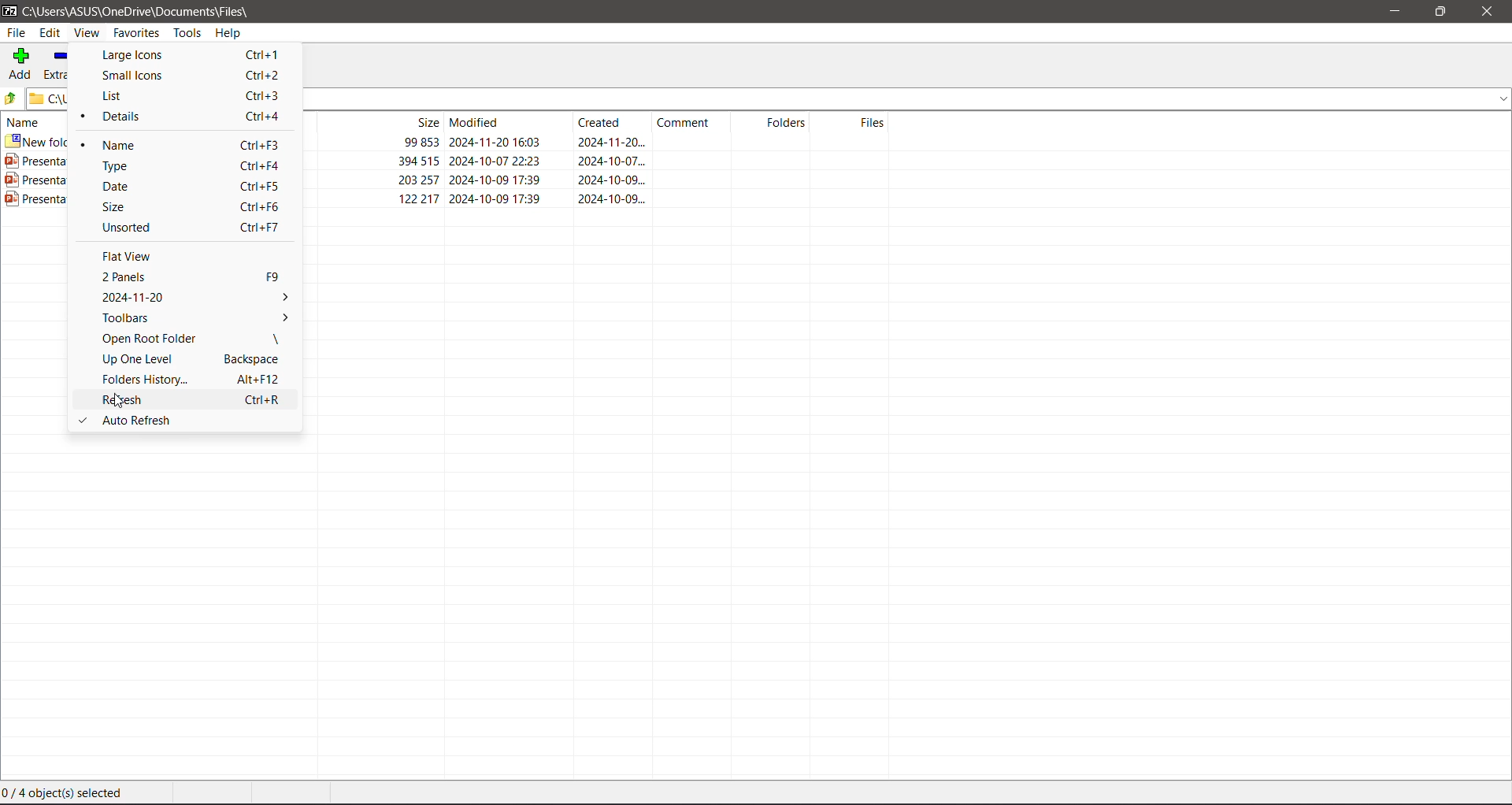 The width and height of the screenshot is (1512, 805). What do you see at coordinates (381, 121) in the screenshot?
I see `size` at bounding box center [381, 121].